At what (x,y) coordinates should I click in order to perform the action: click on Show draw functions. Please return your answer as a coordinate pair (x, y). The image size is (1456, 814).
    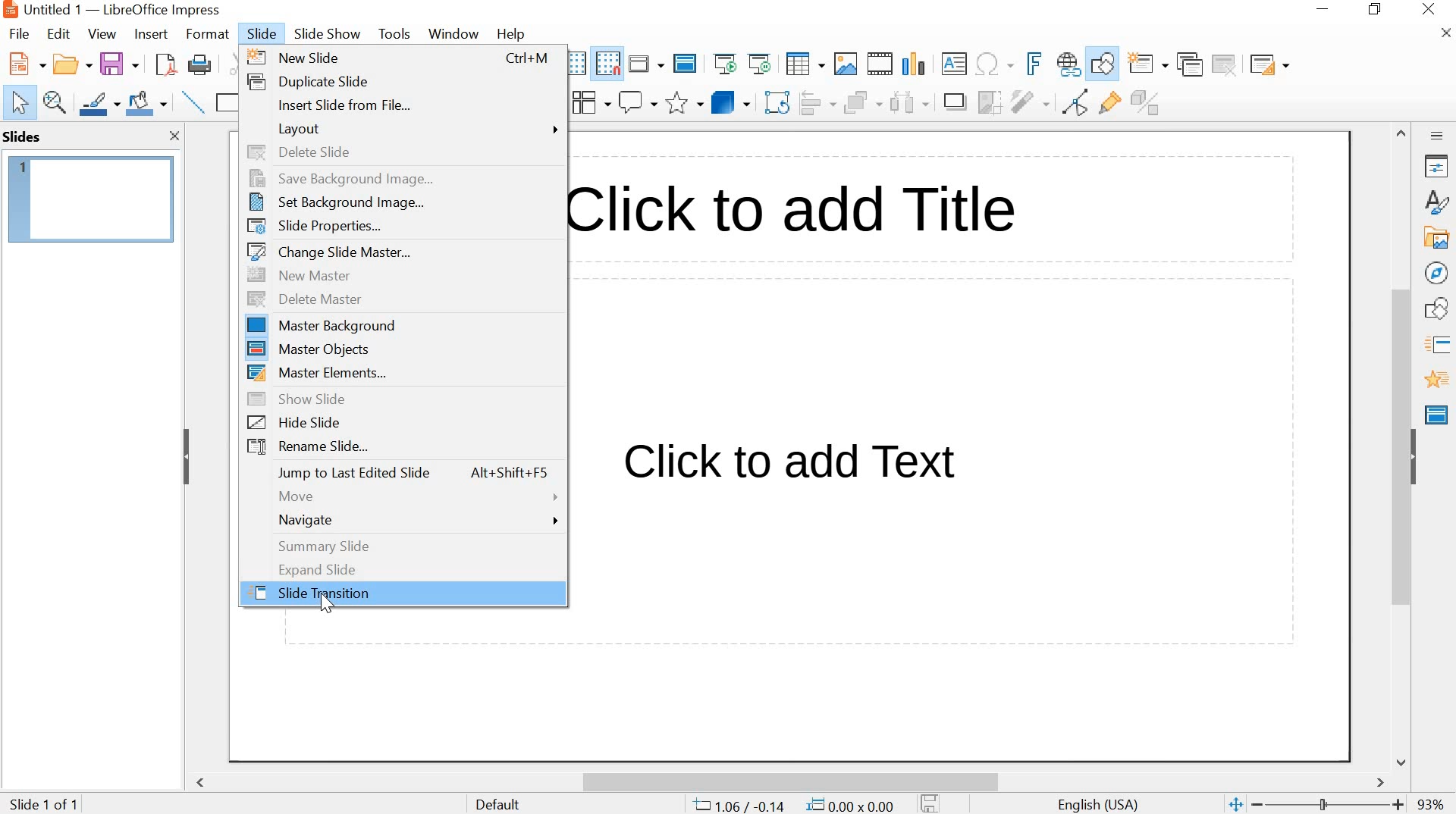
    Looking at the image, I should click on (1103, 65).